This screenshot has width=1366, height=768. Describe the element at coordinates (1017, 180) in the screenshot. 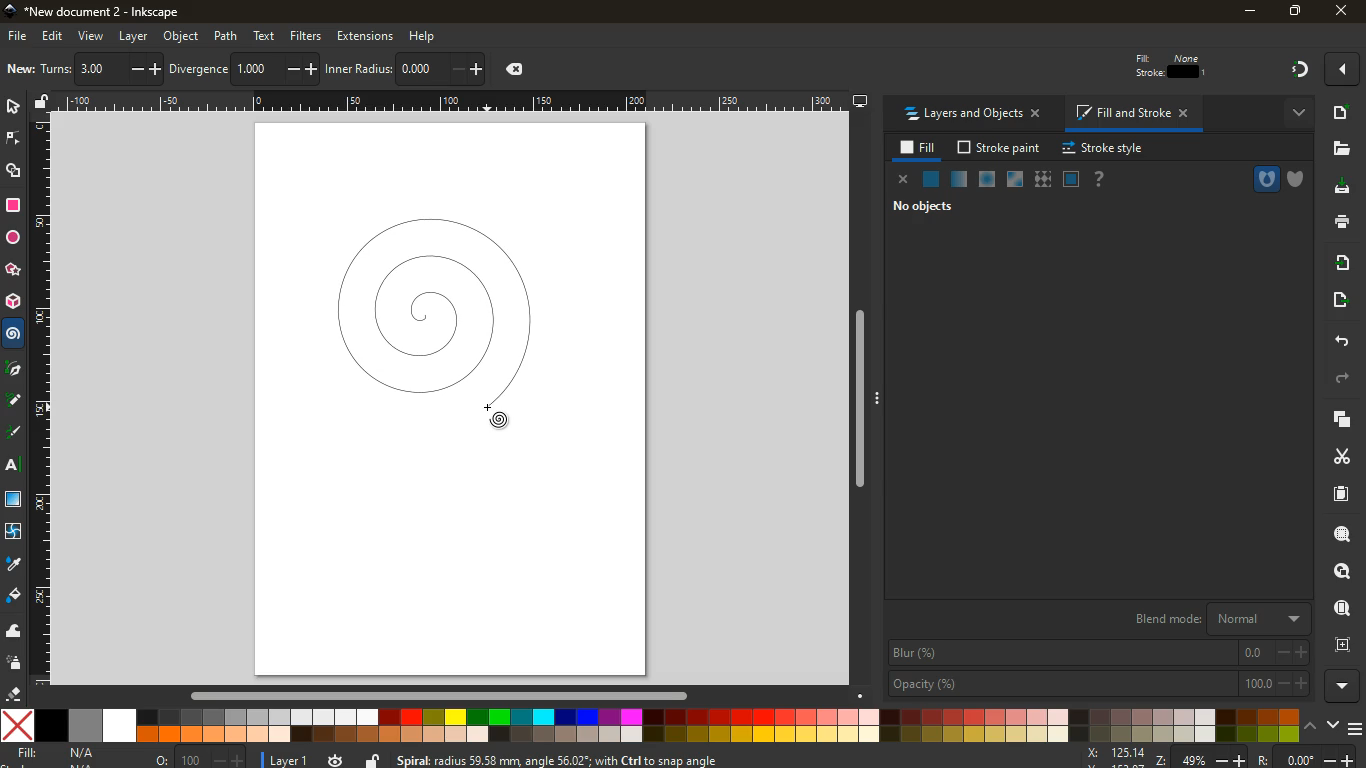

I see `glass` at that location.